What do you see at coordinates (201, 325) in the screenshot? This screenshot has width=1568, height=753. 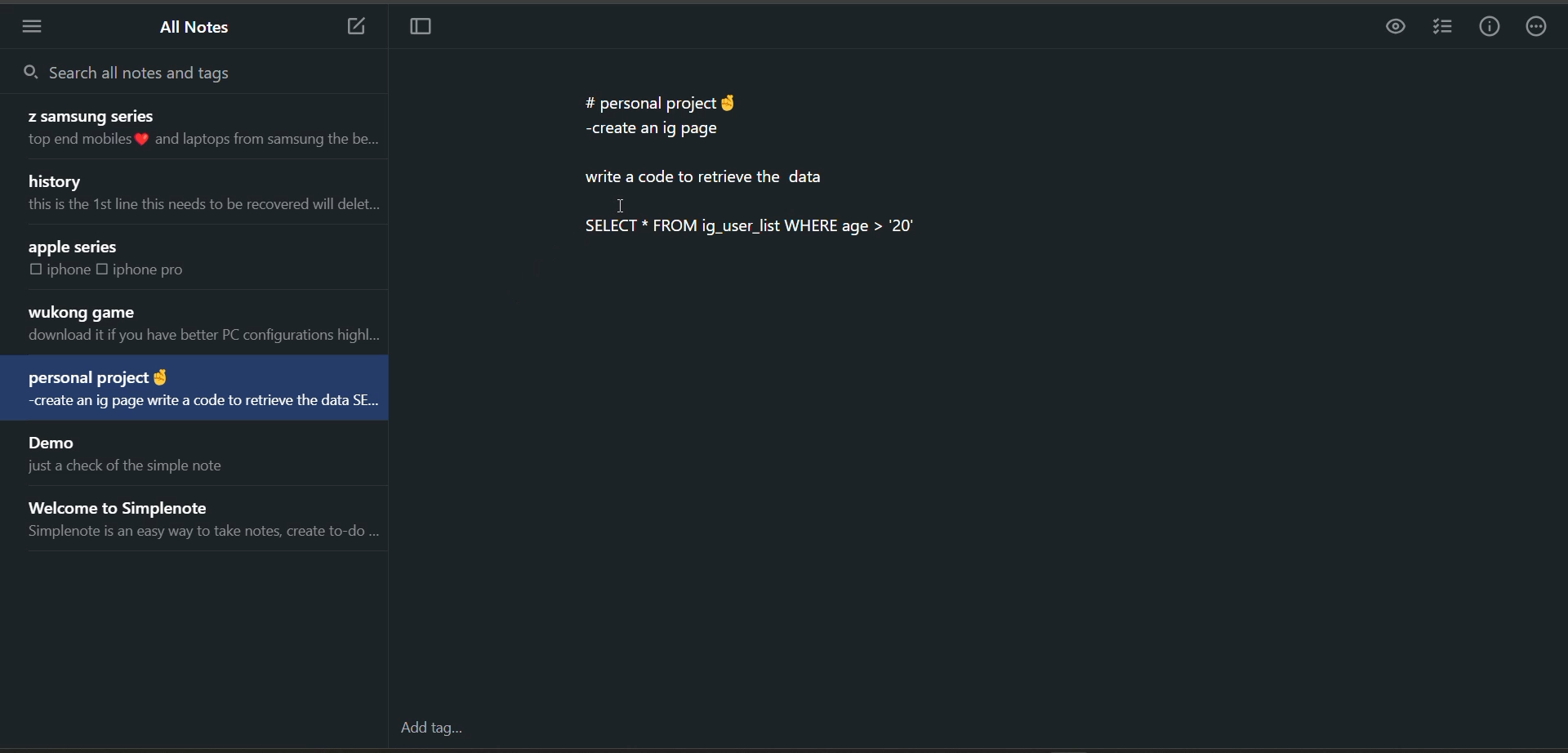 I see `note title  and preview` at bounding box center [201, 325].